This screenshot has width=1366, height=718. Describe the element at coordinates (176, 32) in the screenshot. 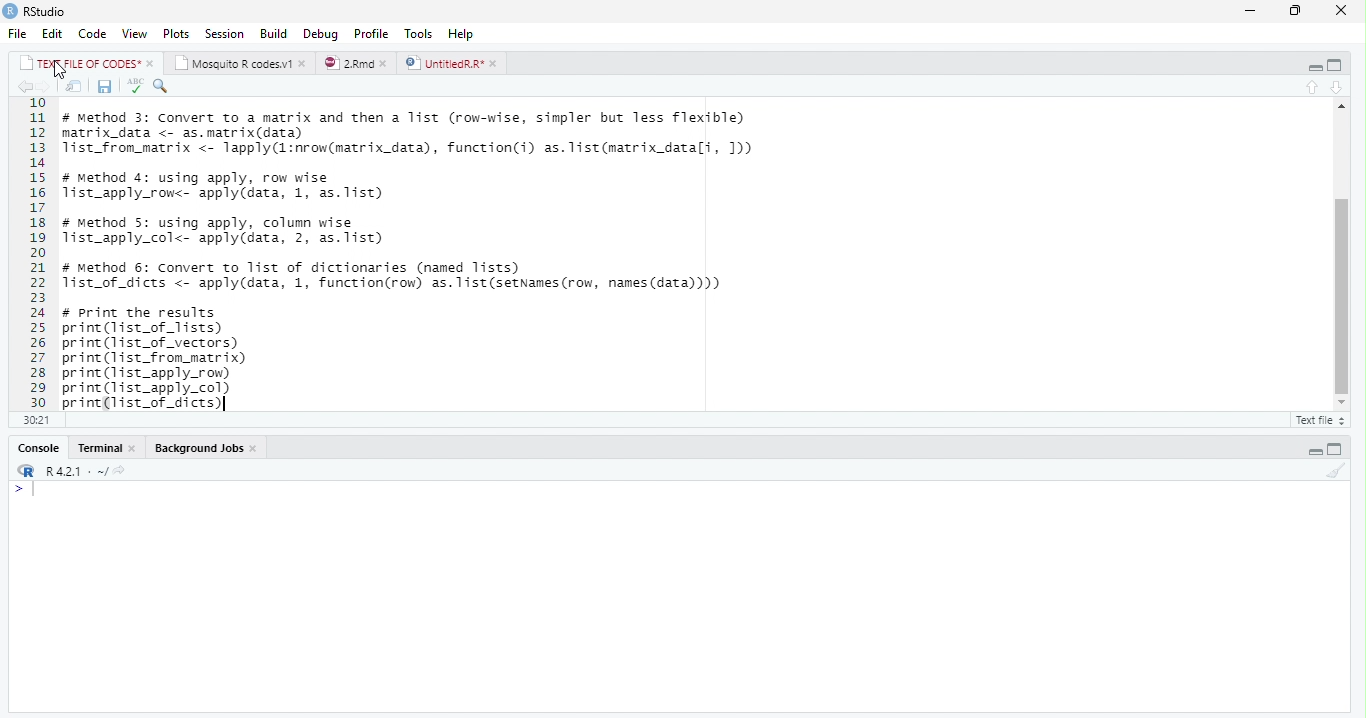

I see `Plots` at that location.